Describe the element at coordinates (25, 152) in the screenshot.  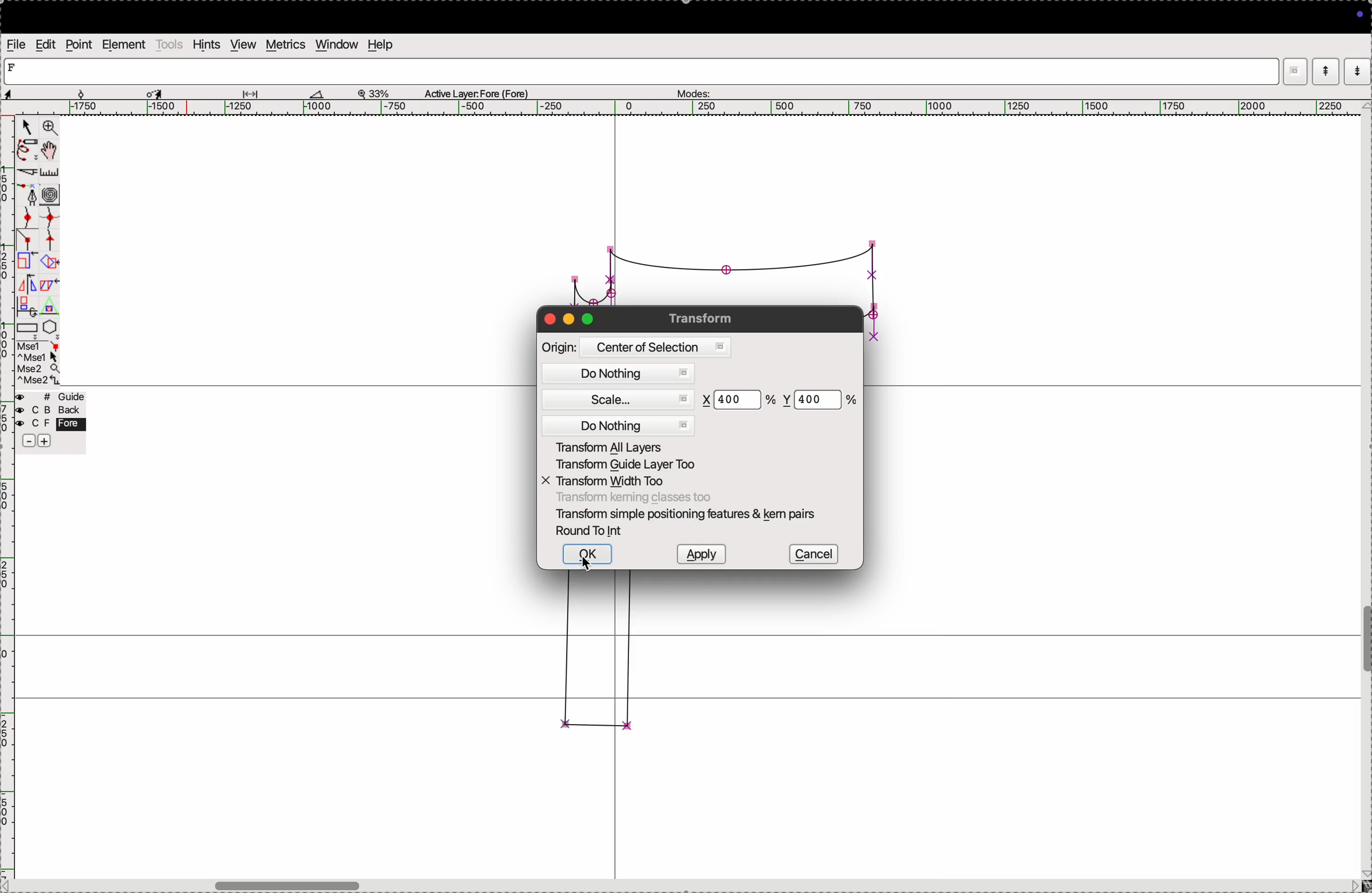
I see `pen` at that location.